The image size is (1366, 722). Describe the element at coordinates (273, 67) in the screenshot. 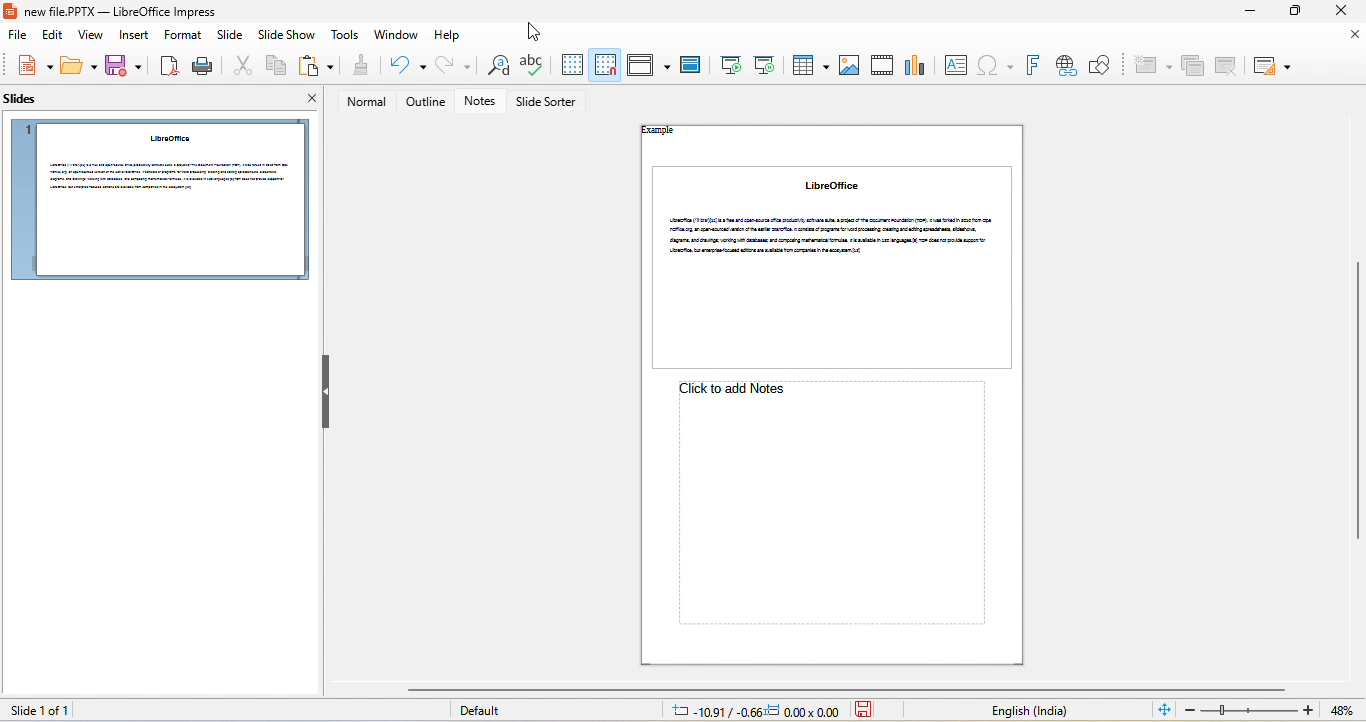

I see `copy` at that location.